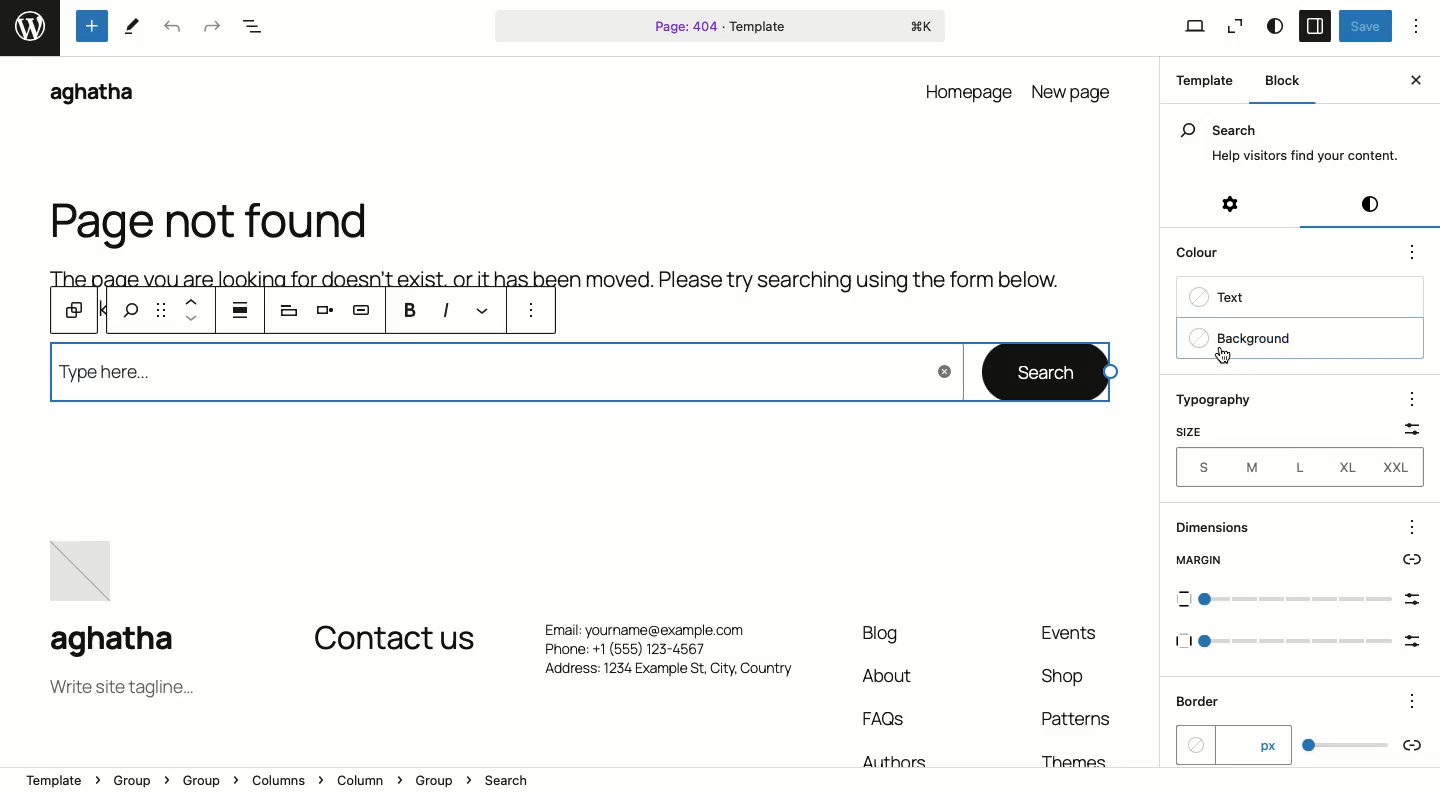  I want to click on Sizes, so click(1300, 467).